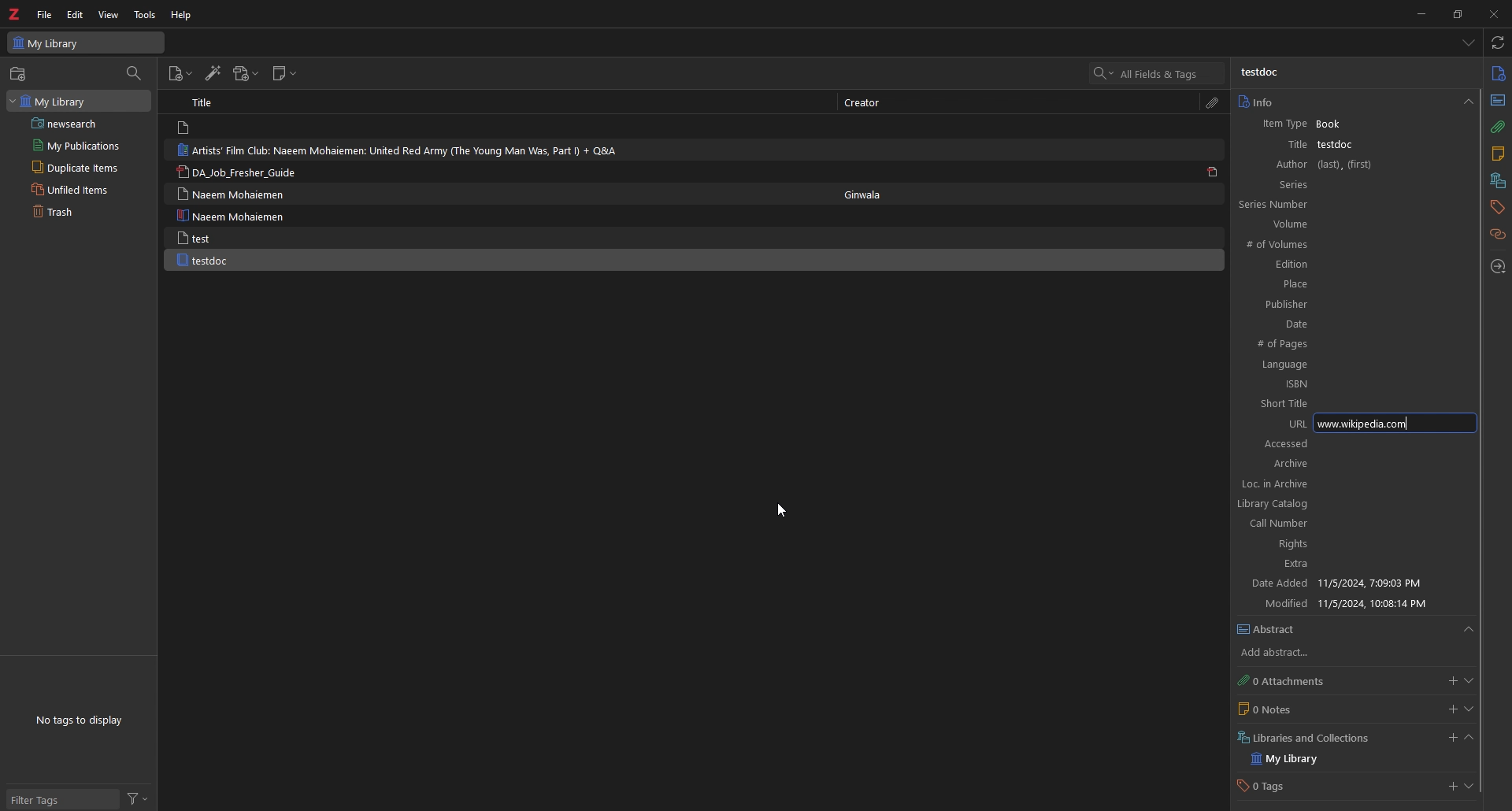  What do you see at coordinates (1451, 709) in the screenshot?
I see `add notes` at bounding box center [1451, 709].